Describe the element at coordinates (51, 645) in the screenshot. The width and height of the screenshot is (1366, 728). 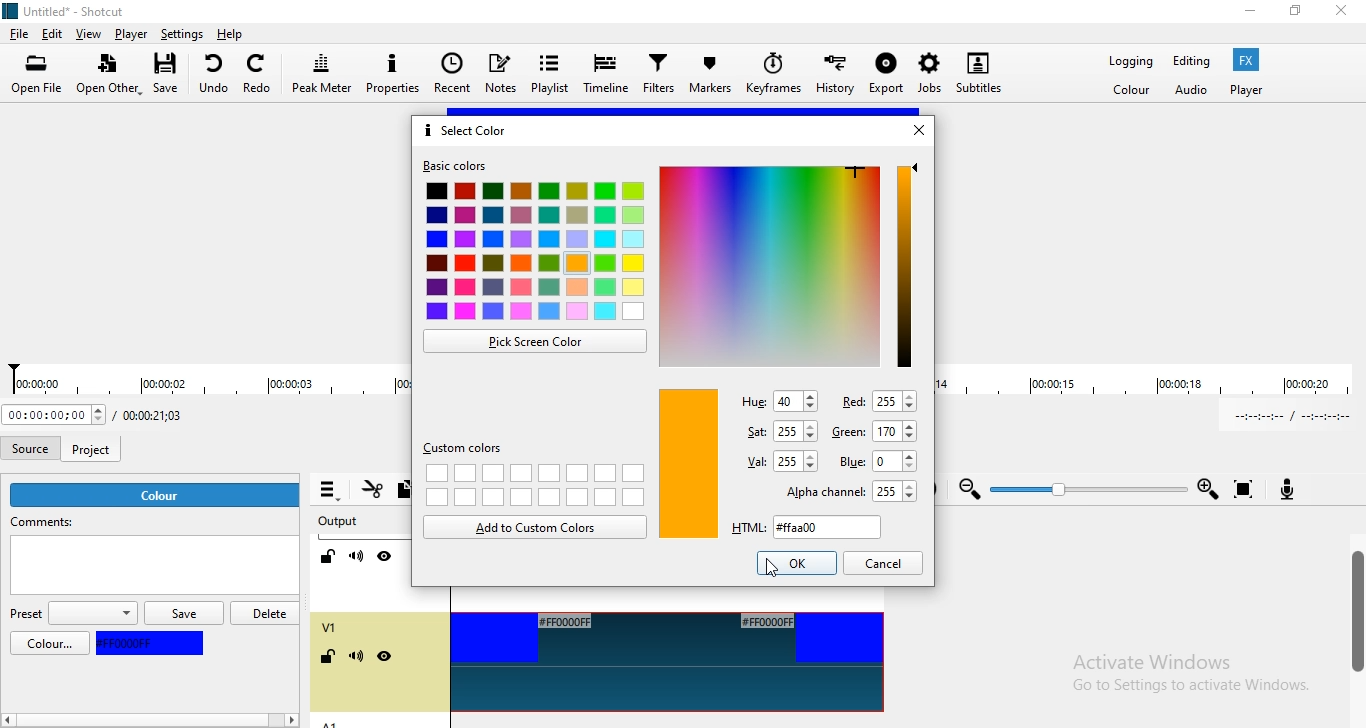
I see `color` at that location.